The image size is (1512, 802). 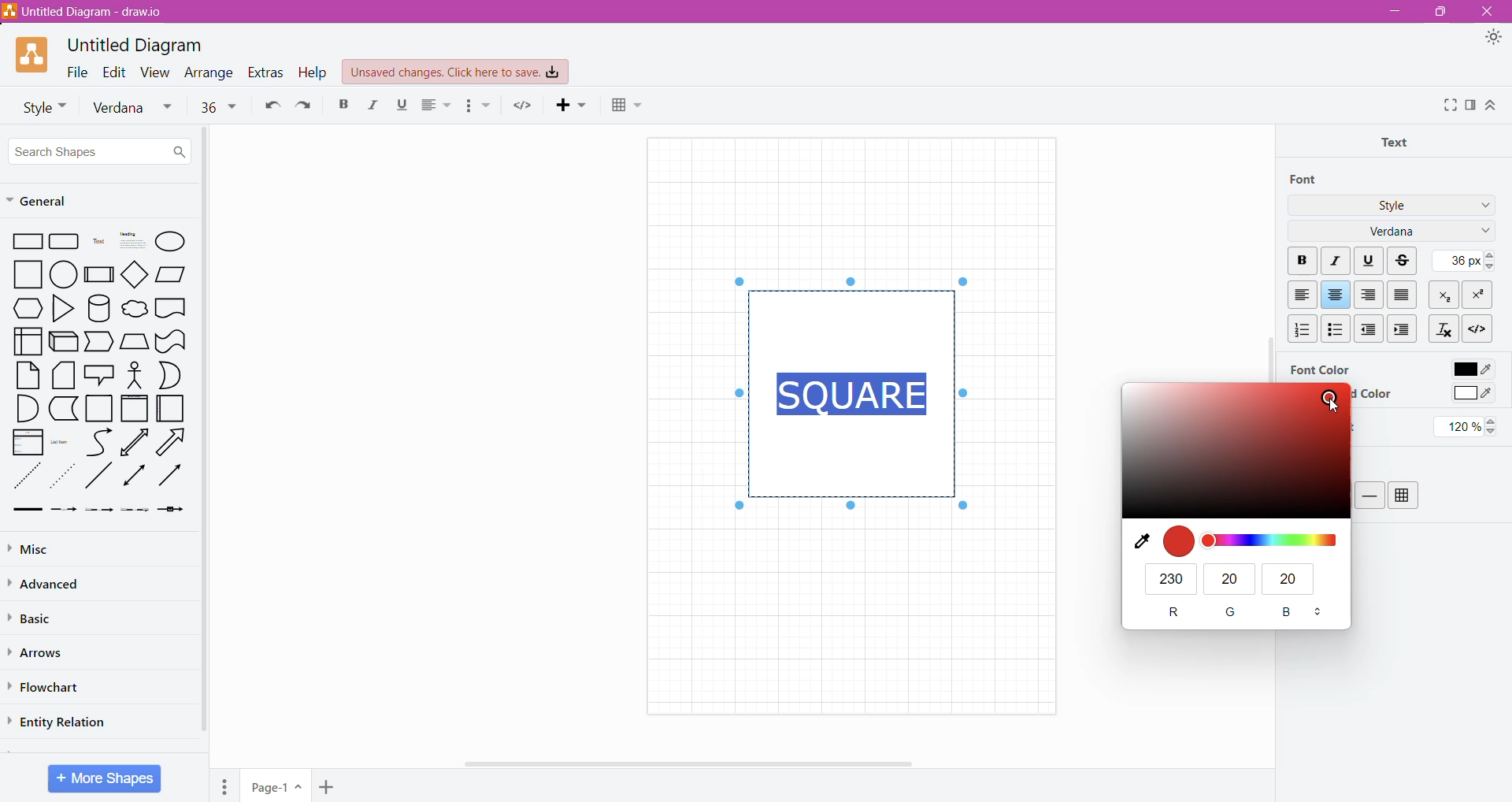 What do you see at coordinates (25, 477) in the screenshot?
I see `Dotted Line` at bounding box center [25, 477].